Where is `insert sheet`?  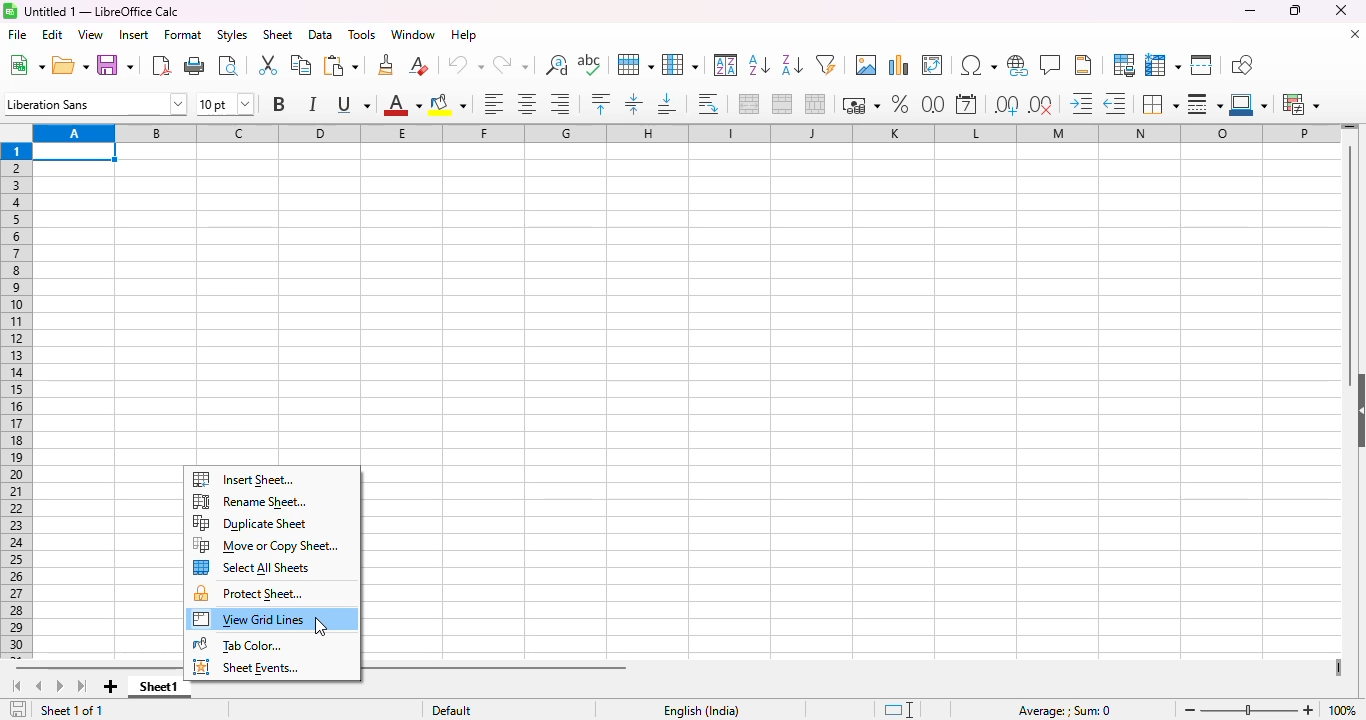
insert sheet is located at coordinates (245, 479).